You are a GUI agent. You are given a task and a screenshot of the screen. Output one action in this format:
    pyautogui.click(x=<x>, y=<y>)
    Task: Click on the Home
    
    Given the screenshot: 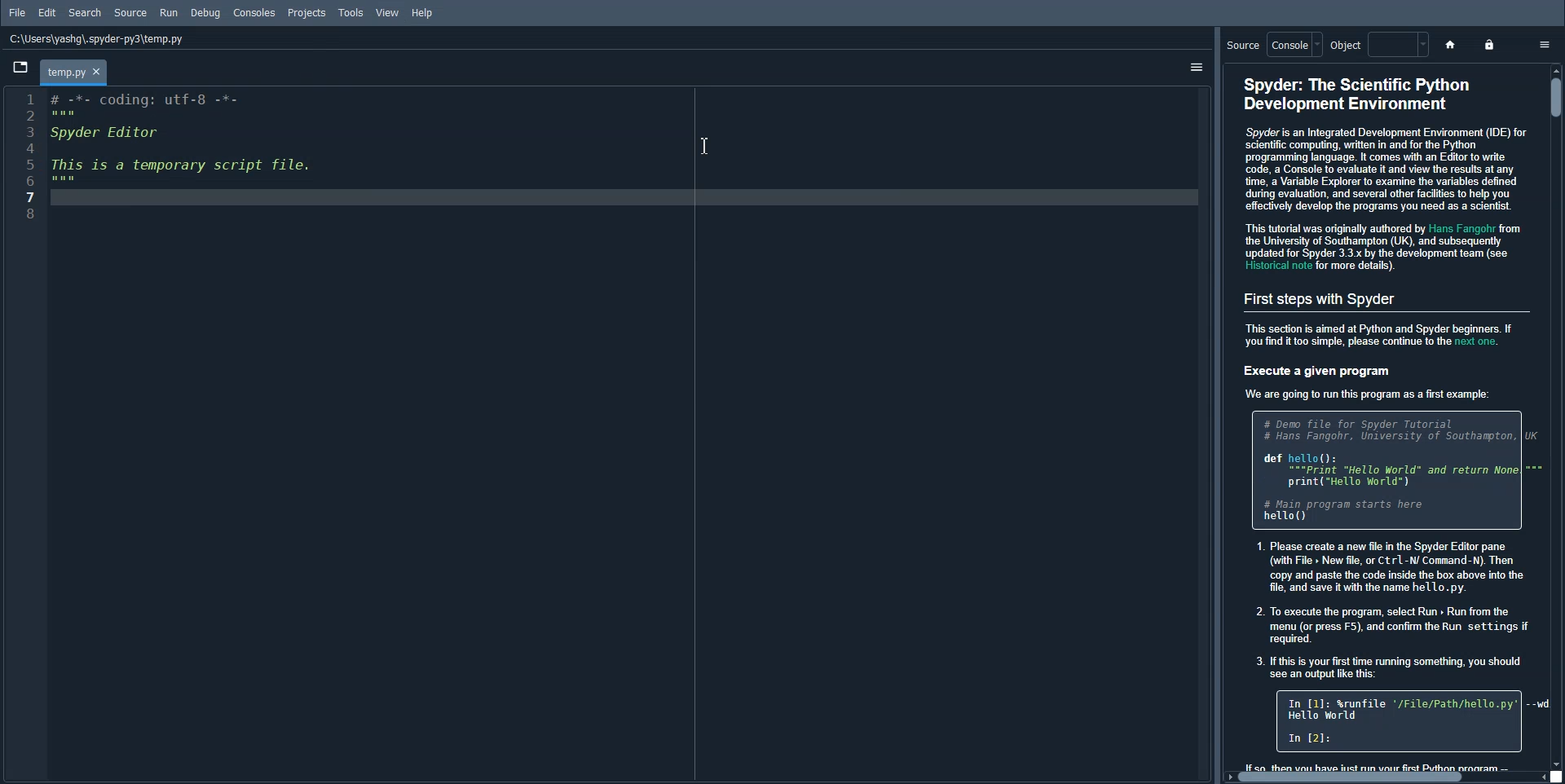 What is the action you would take?
    pyautogui.click(x=1449, y=44)
    